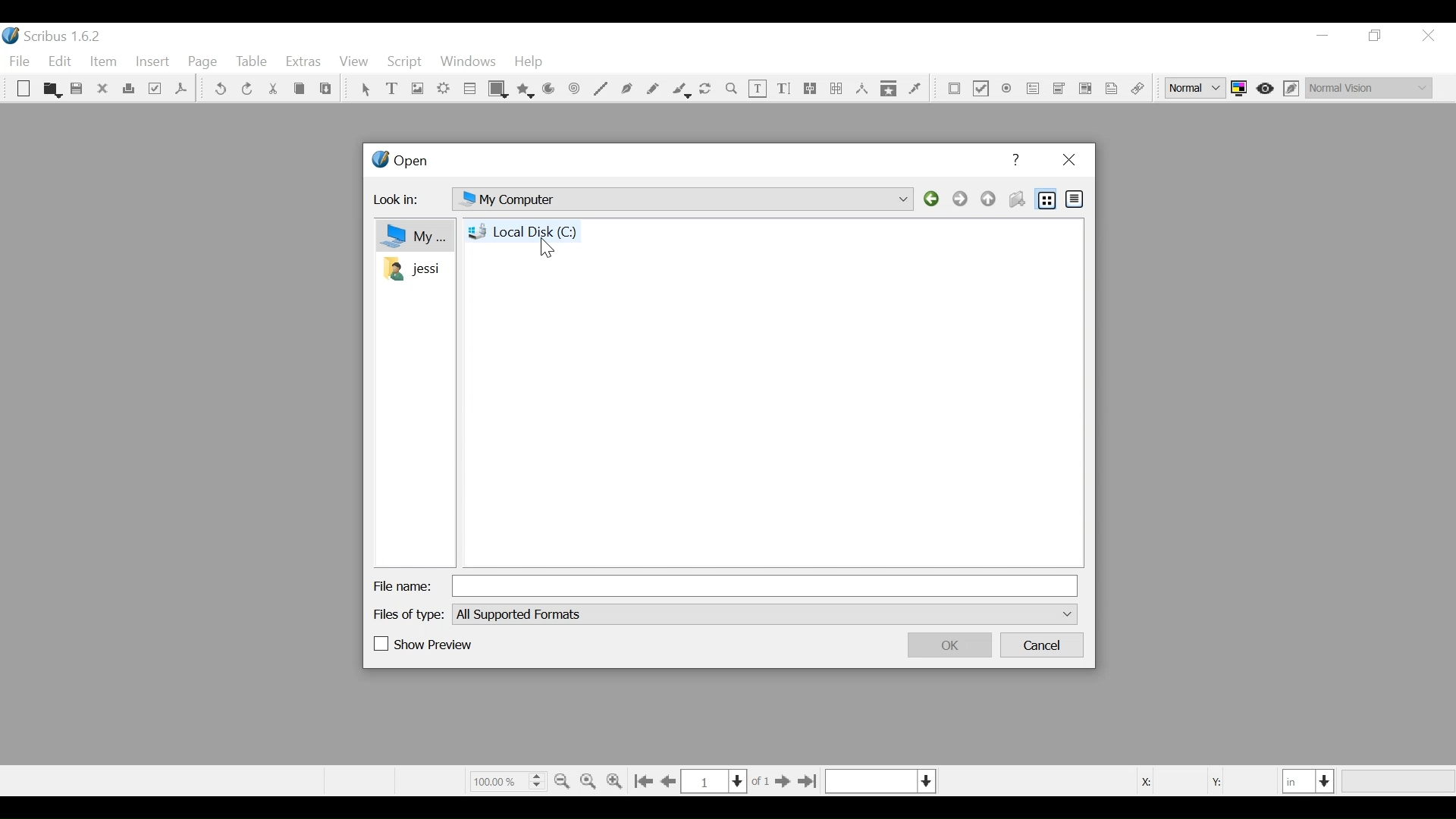  I want to click on Save as PDF, so click(180, 91).